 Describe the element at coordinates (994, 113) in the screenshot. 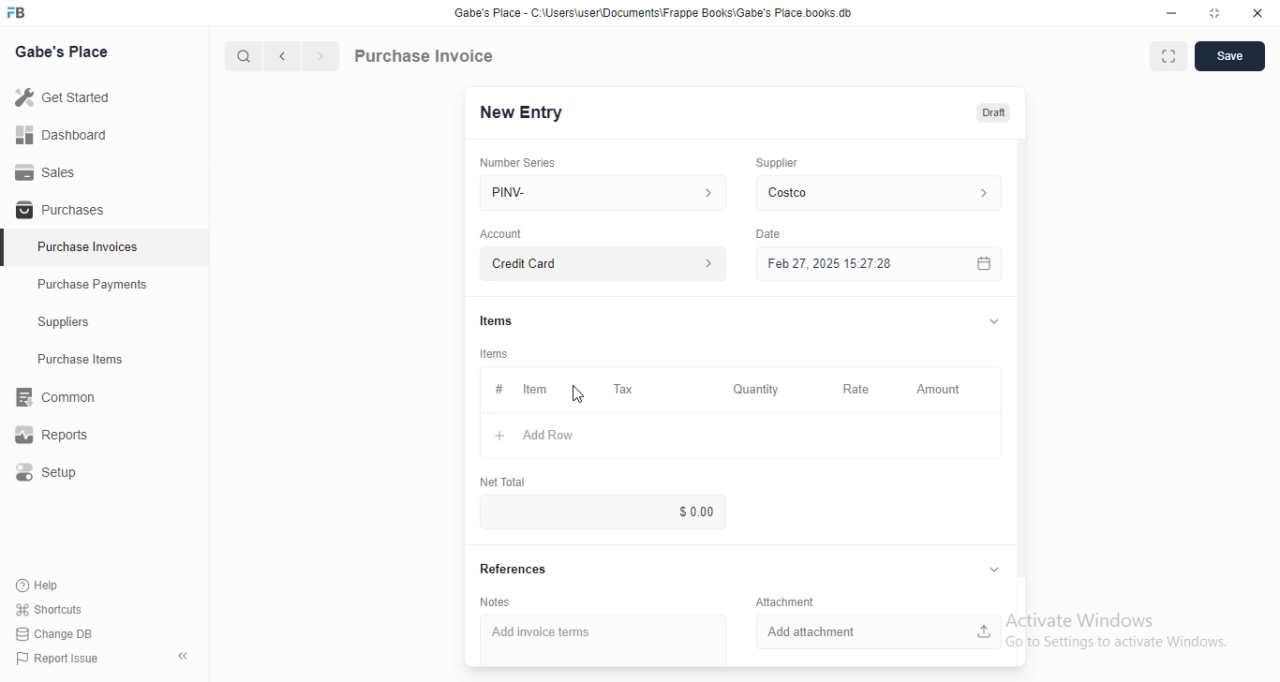

I see `Draft` at that location.